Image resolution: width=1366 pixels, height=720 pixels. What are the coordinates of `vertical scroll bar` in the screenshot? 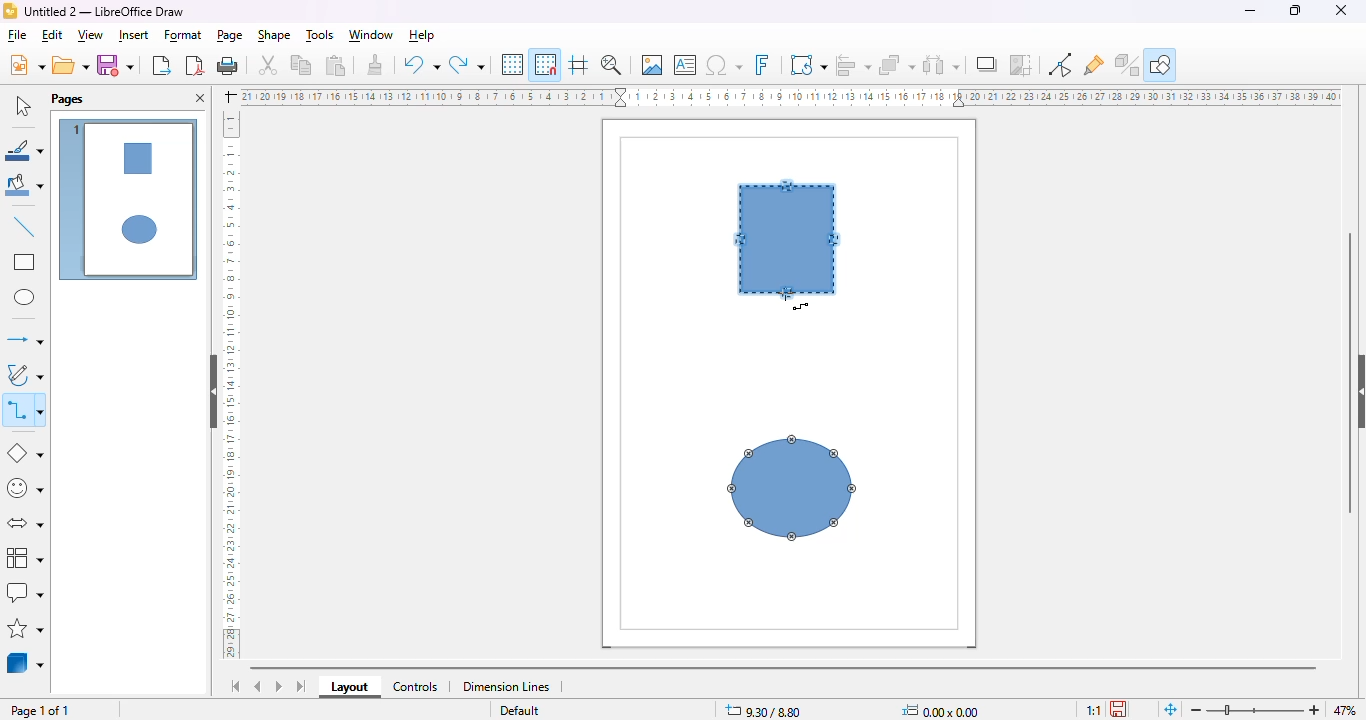 It's located at (1351, 373).